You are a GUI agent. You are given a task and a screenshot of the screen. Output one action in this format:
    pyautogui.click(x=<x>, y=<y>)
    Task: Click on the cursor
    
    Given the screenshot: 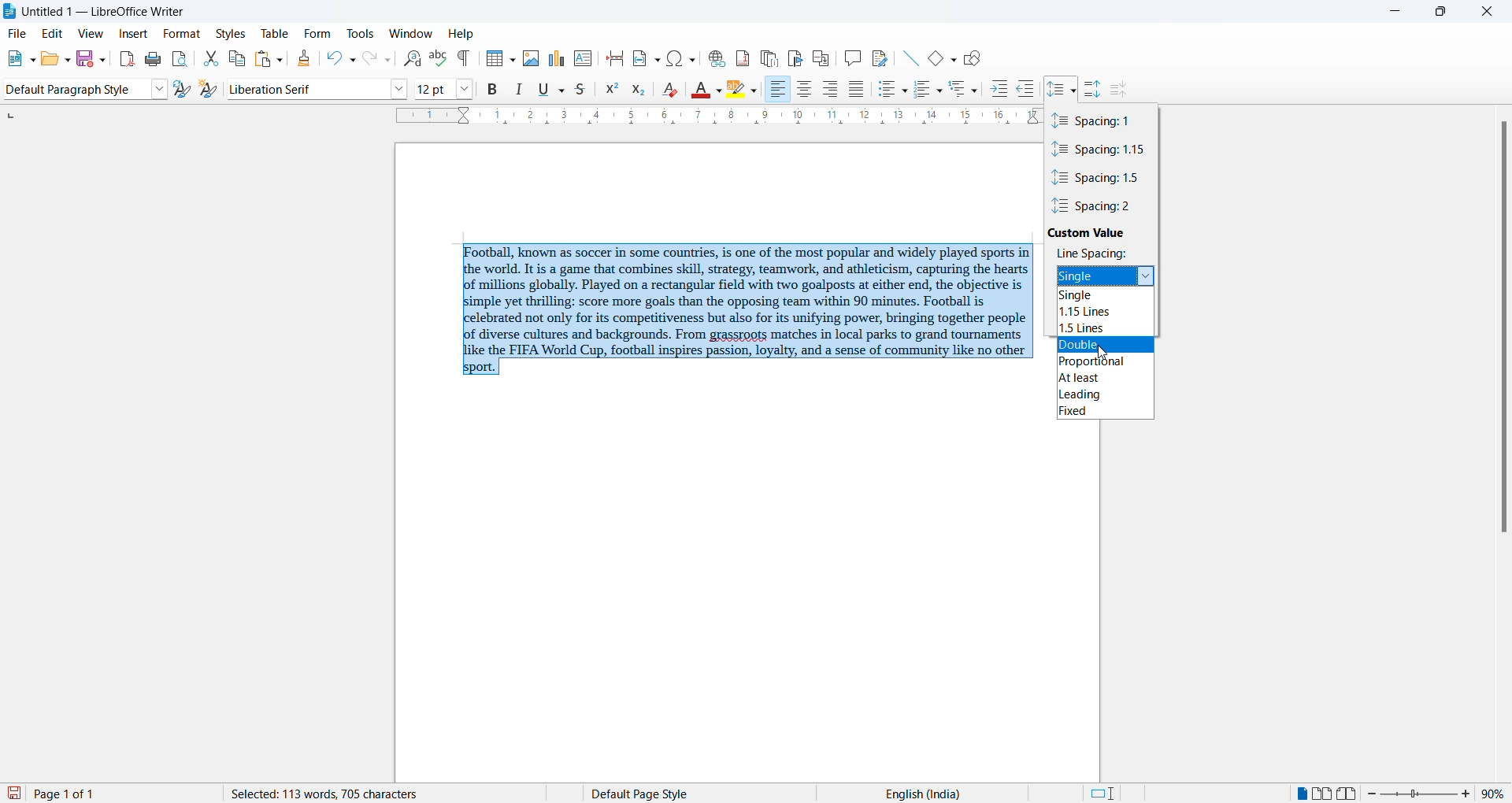 What is the action you would take?
    pyautogui.click(x=1099, y=353)
    